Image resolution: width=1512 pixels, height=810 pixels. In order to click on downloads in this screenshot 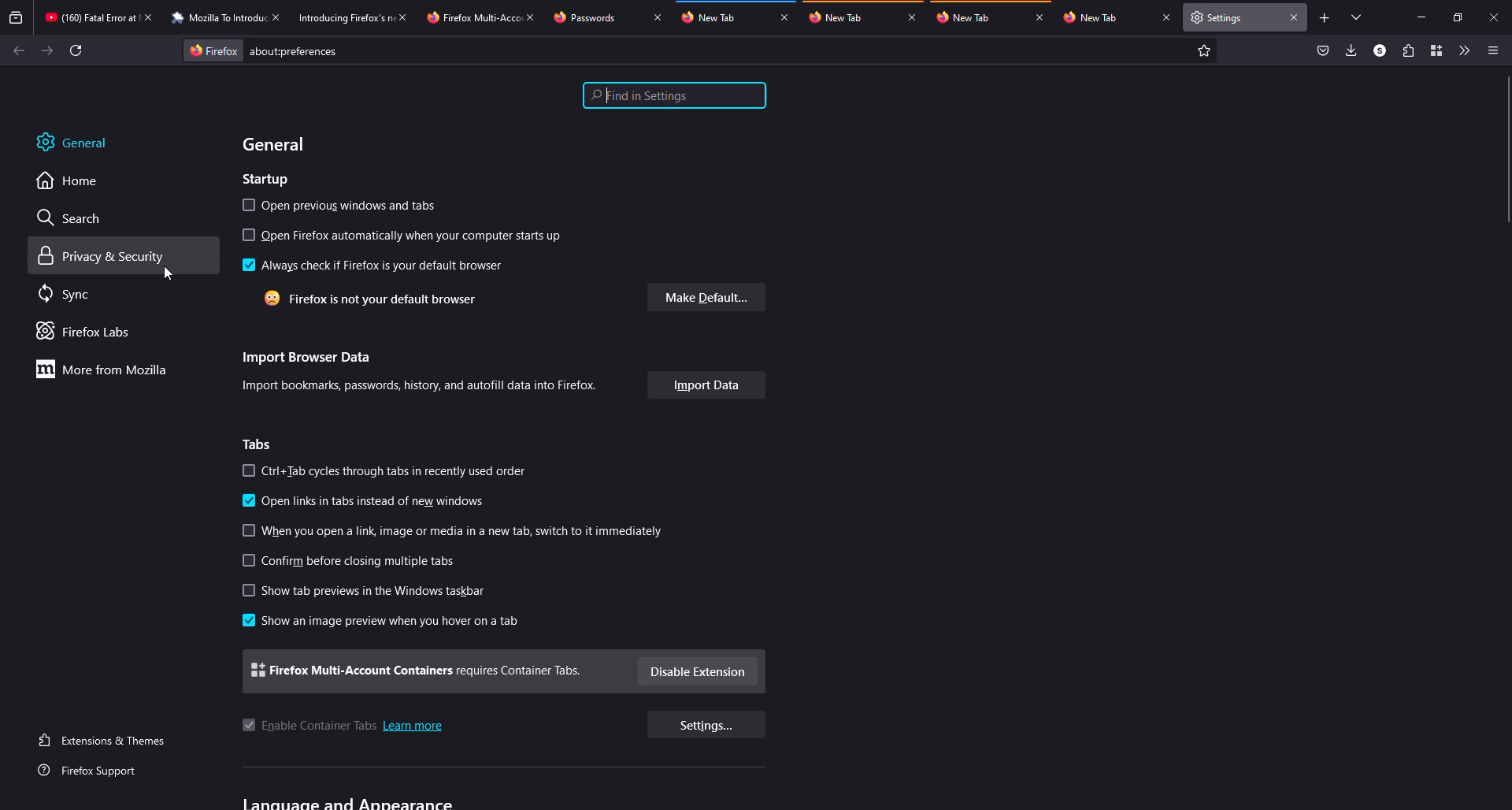, I will do `click(1352, 50)`.